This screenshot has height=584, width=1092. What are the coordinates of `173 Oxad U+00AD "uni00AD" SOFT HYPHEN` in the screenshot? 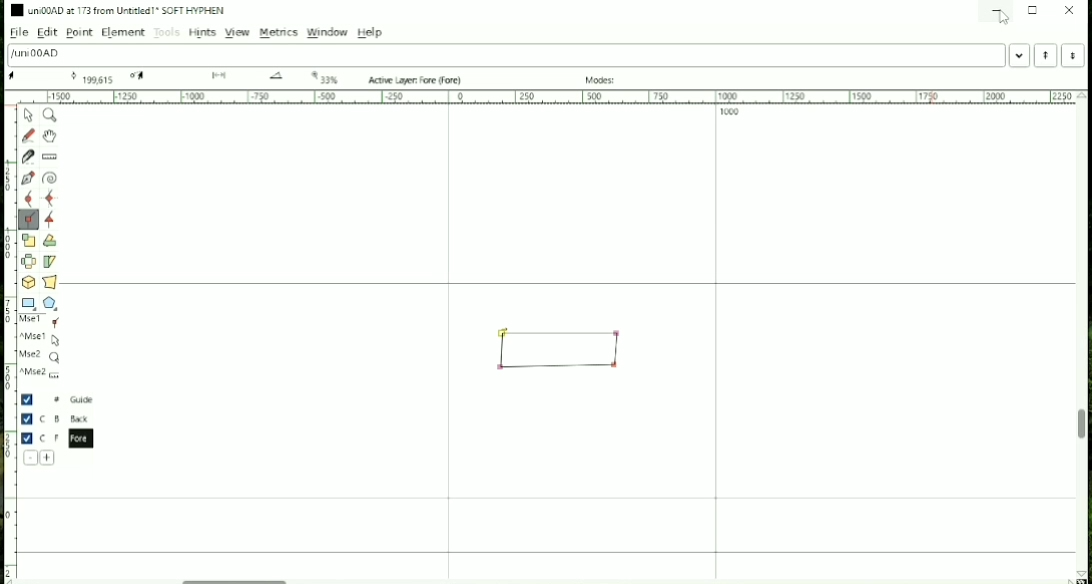 It's located at (224, 76).